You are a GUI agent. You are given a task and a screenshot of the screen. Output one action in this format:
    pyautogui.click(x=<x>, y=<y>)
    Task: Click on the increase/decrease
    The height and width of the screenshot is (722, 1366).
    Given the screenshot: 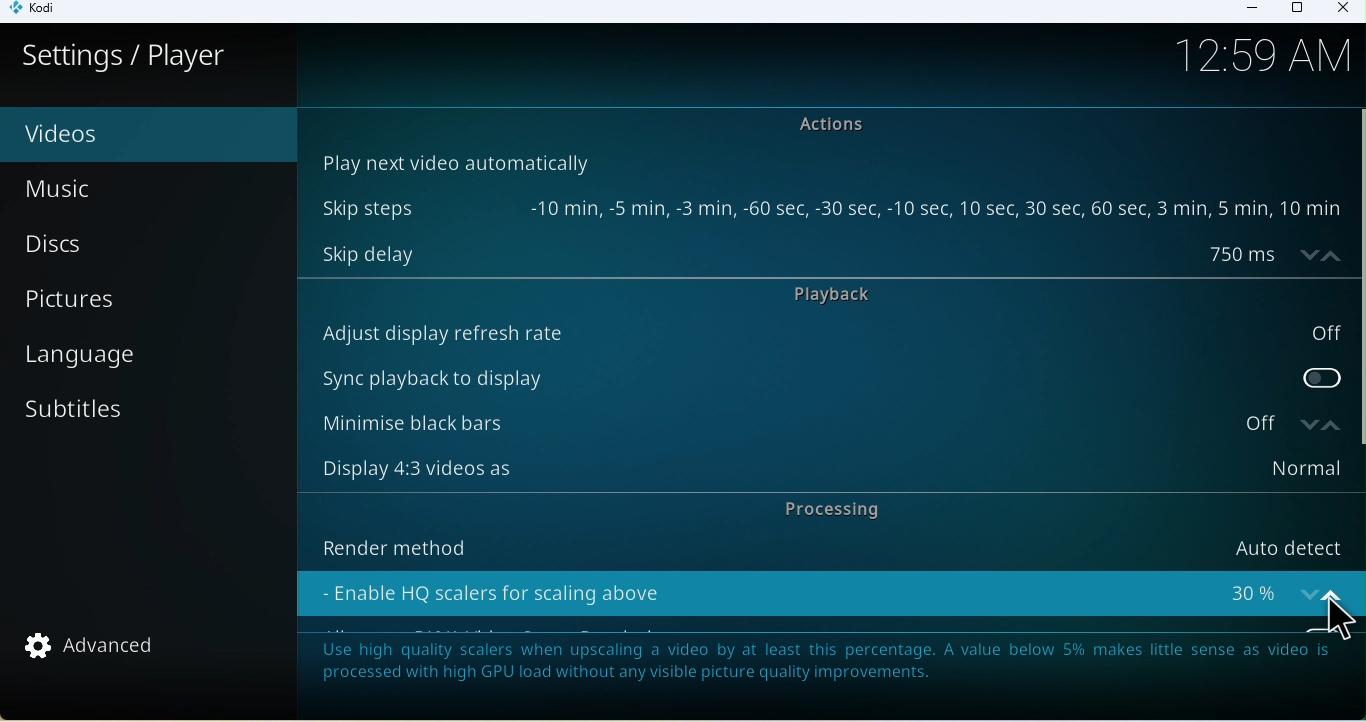 What is the action you would take?
    pyautogui.click(x=1323, y=589)
    